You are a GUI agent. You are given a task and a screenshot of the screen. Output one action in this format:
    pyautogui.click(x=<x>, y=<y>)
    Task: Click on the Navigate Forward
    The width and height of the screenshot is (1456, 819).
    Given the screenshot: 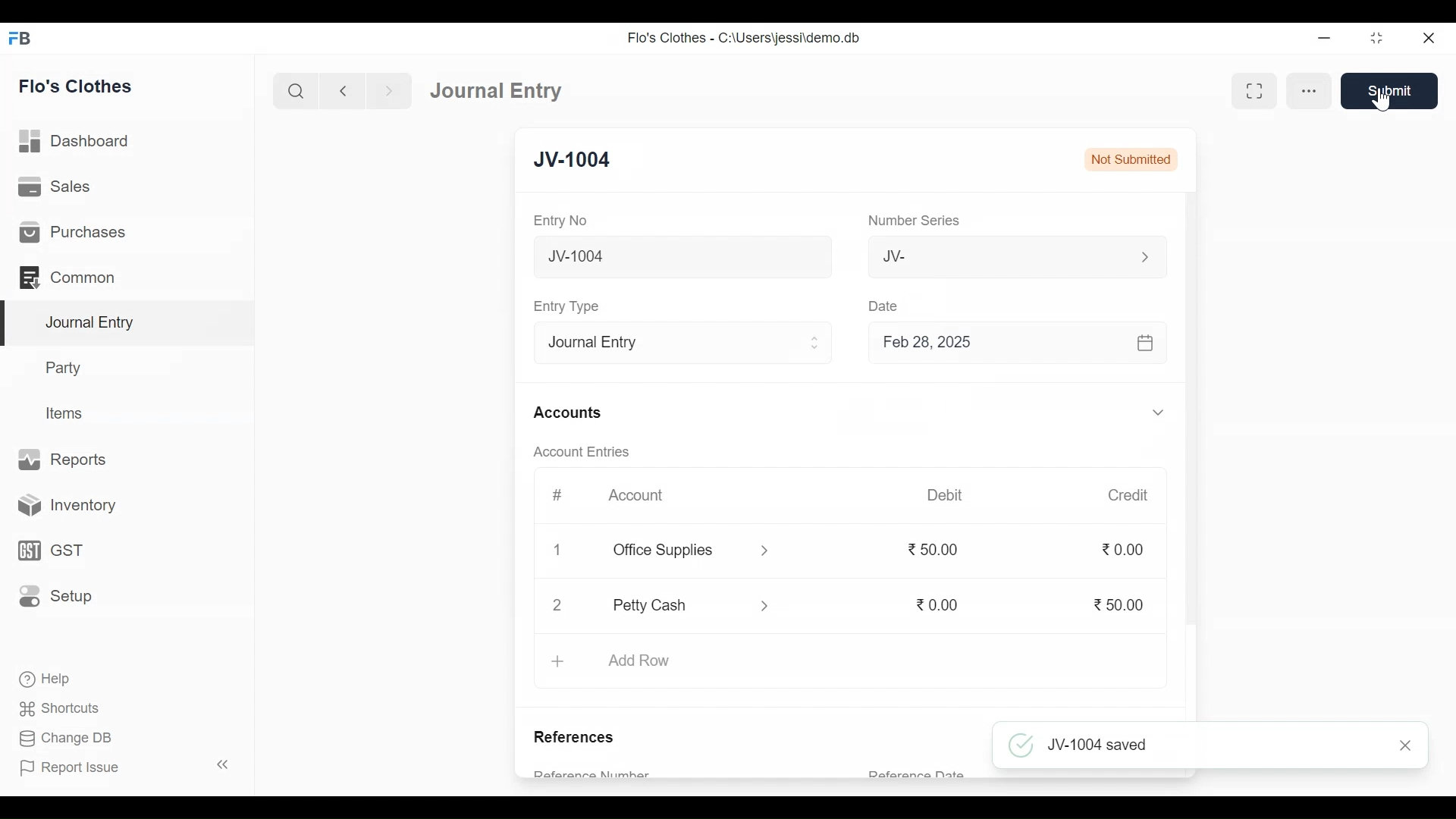 What is the action you would take?
    pyautogui.click(x=389, y=91)
    